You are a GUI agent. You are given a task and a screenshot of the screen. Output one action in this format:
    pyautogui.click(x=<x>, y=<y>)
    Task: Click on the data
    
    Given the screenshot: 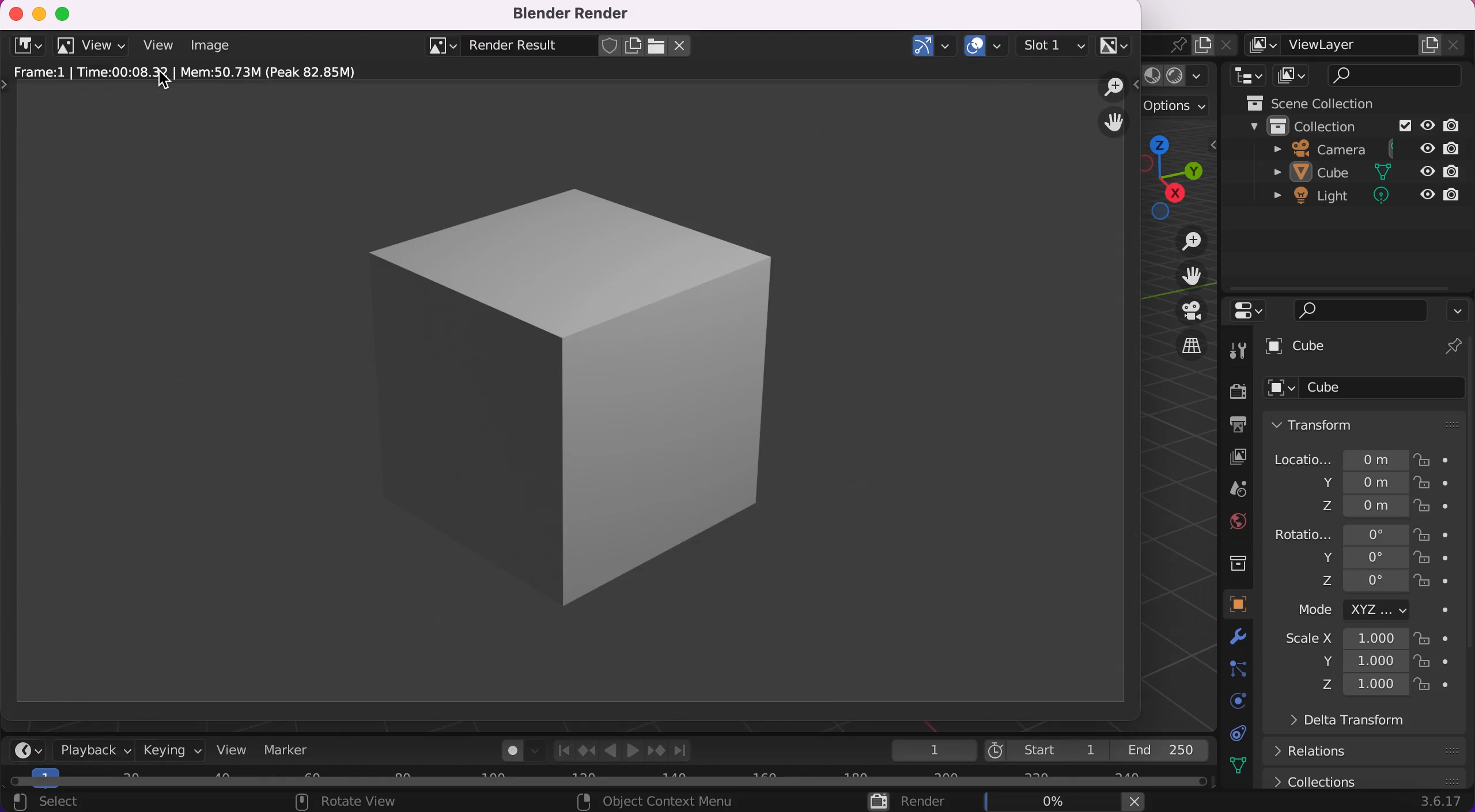 What is the action you would take?
    pyautogui.click(x=1235, y=765)
    